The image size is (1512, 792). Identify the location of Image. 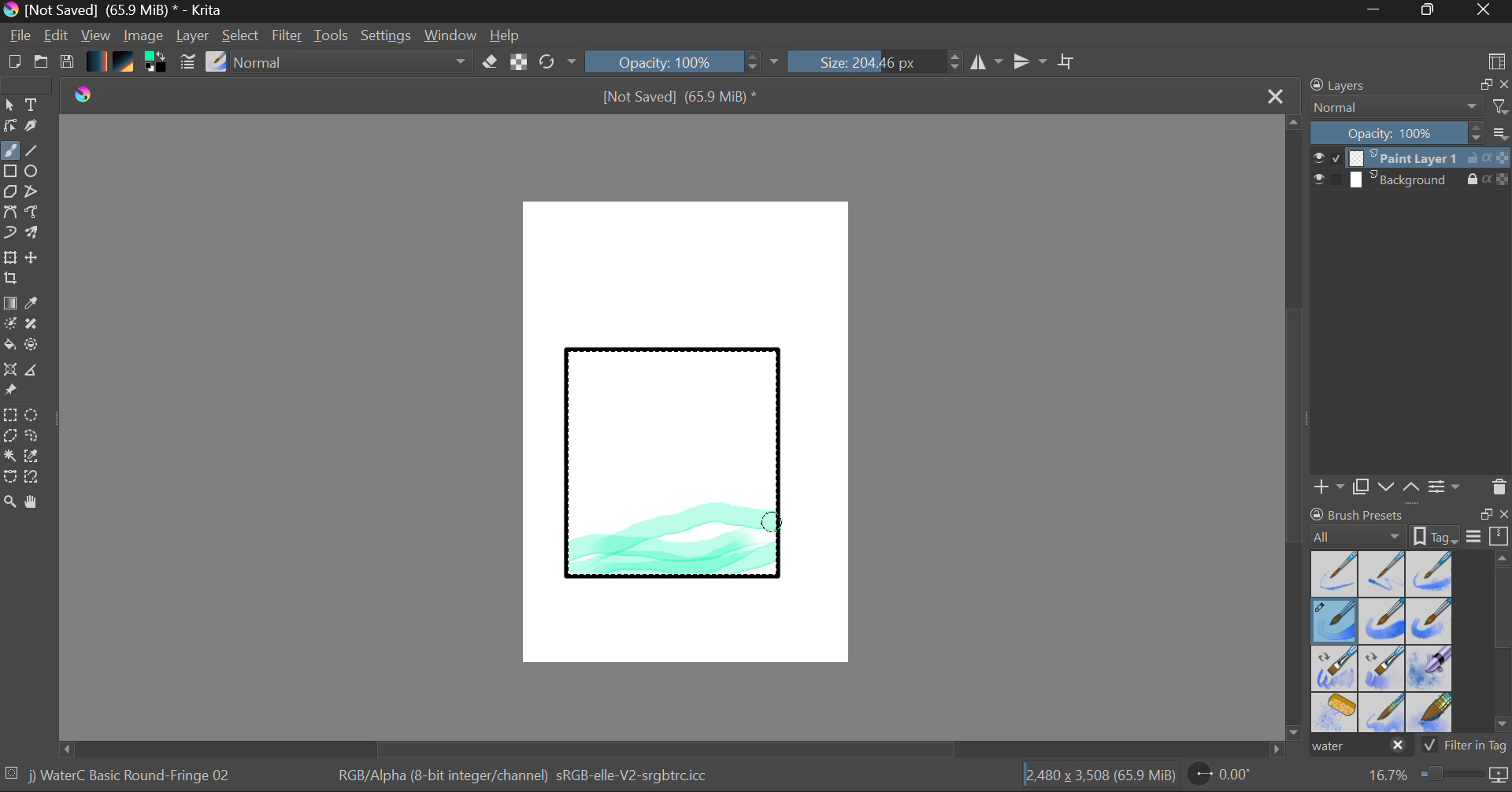
(145, 37).